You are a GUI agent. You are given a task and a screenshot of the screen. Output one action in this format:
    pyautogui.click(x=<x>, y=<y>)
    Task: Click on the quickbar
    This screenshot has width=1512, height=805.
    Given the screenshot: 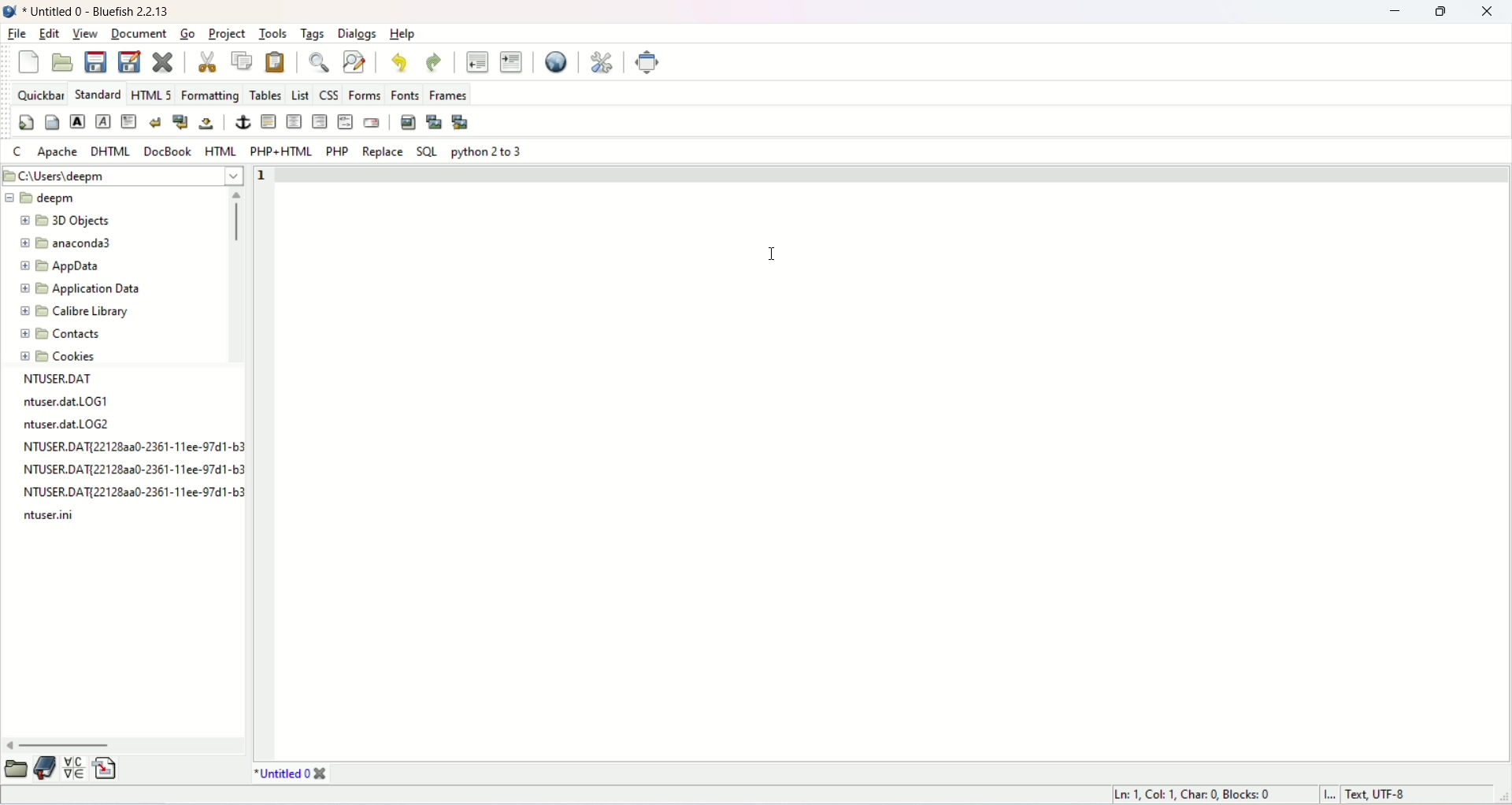 What is the action you would take?
    pyautogui.click(x=43, y=97)
    